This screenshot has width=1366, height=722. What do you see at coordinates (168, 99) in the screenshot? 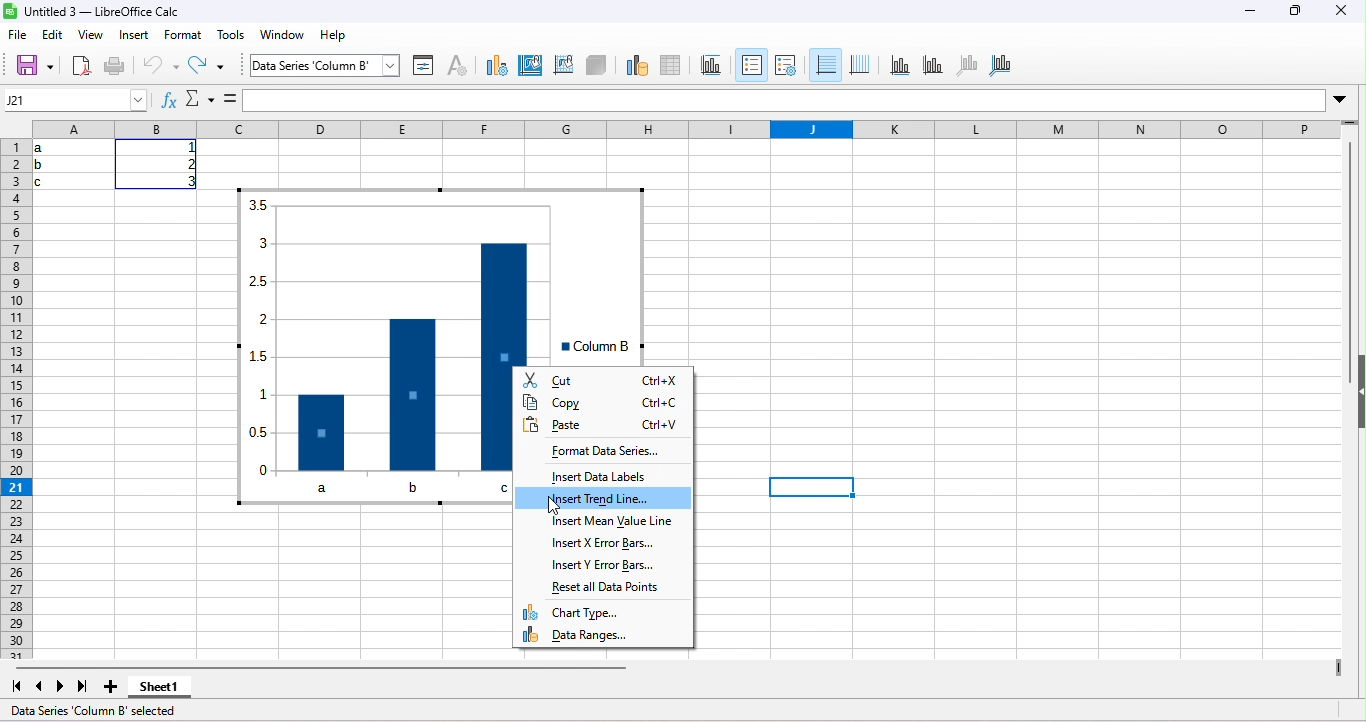
I see `functions wizerd` at bounding box center [168, 99].